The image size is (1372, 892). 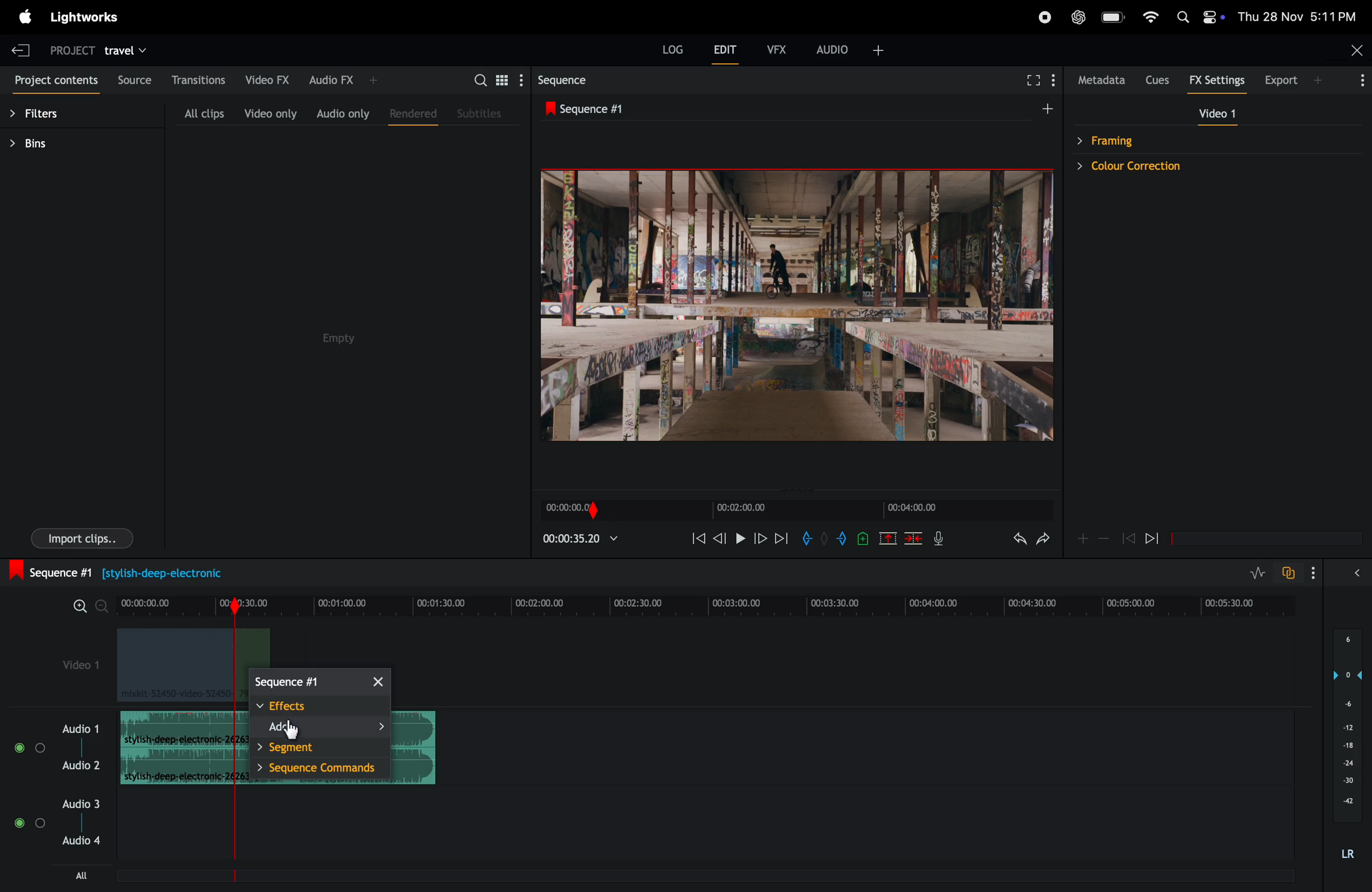 I want to click on Mouse Cursor, so click(x=290, y=731).